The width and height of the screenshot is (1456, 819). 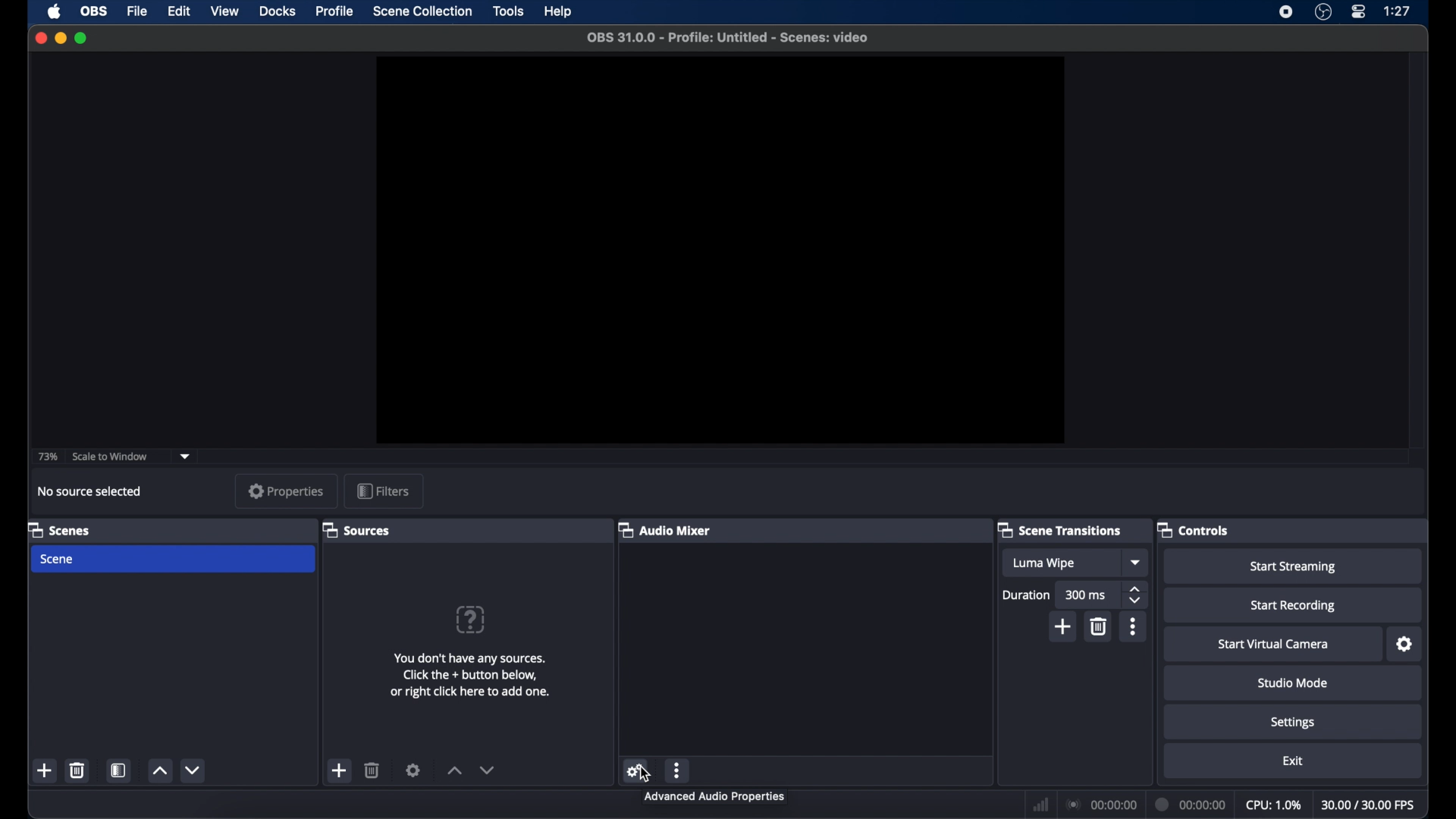 What do you see at coordinates (46, 457) in the screenshot?
I see `73%` at bounding box center [46, 457].